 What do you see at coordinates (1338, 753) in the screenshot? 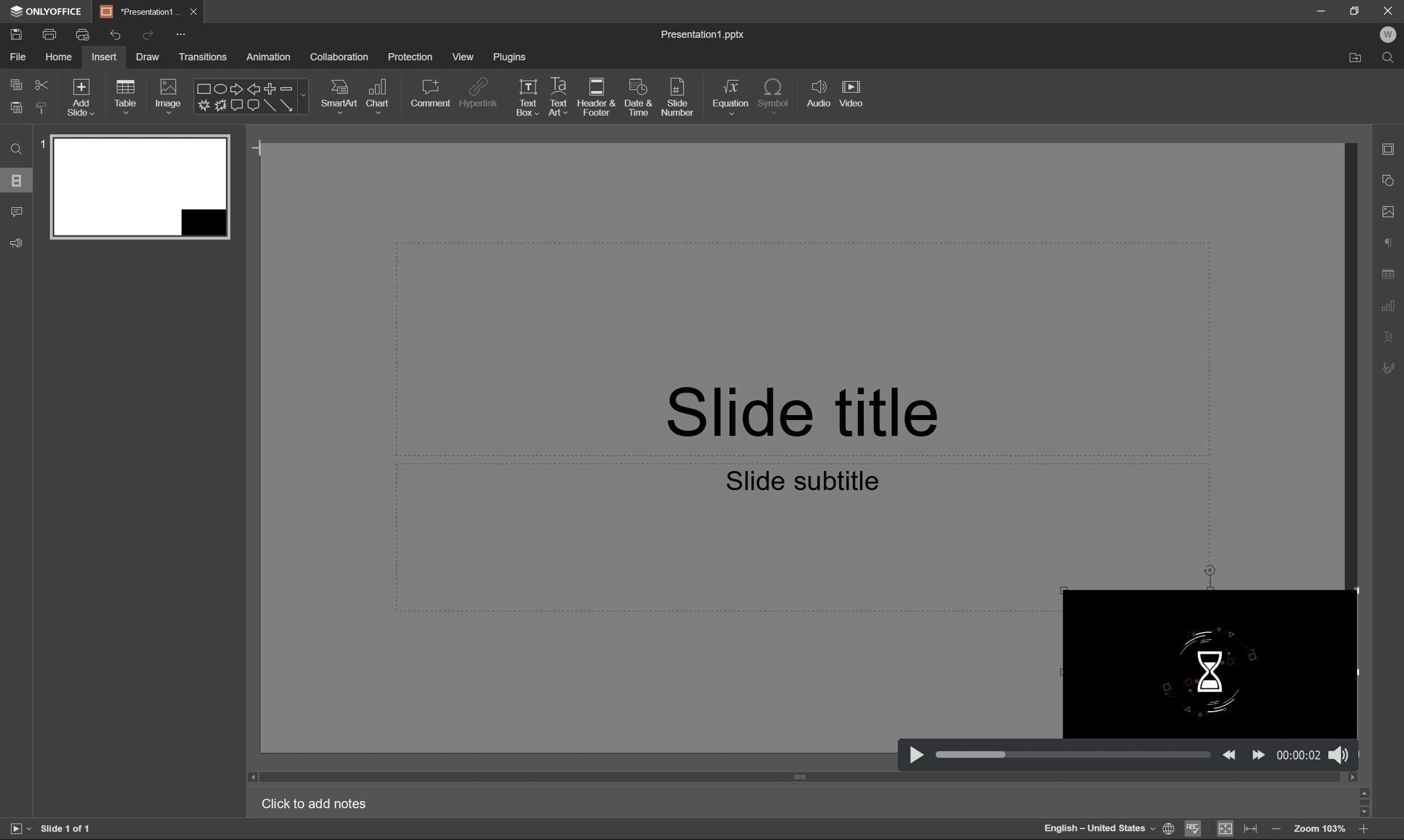
I see `sound` at bounding box center [1338, 753].